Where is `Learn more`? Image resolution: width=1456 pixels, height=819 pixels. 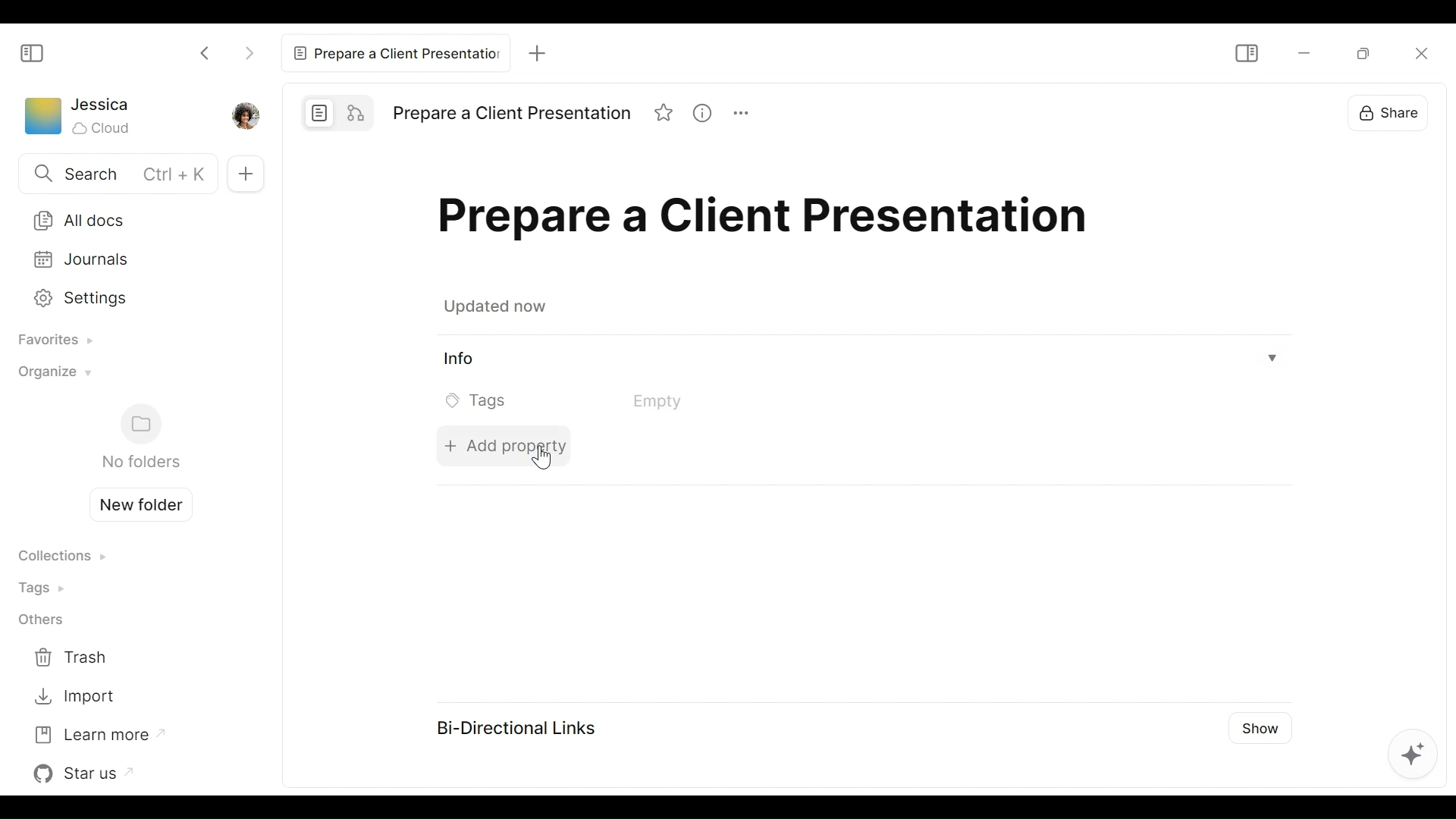 Learn more is located at coordinates (98, 733).